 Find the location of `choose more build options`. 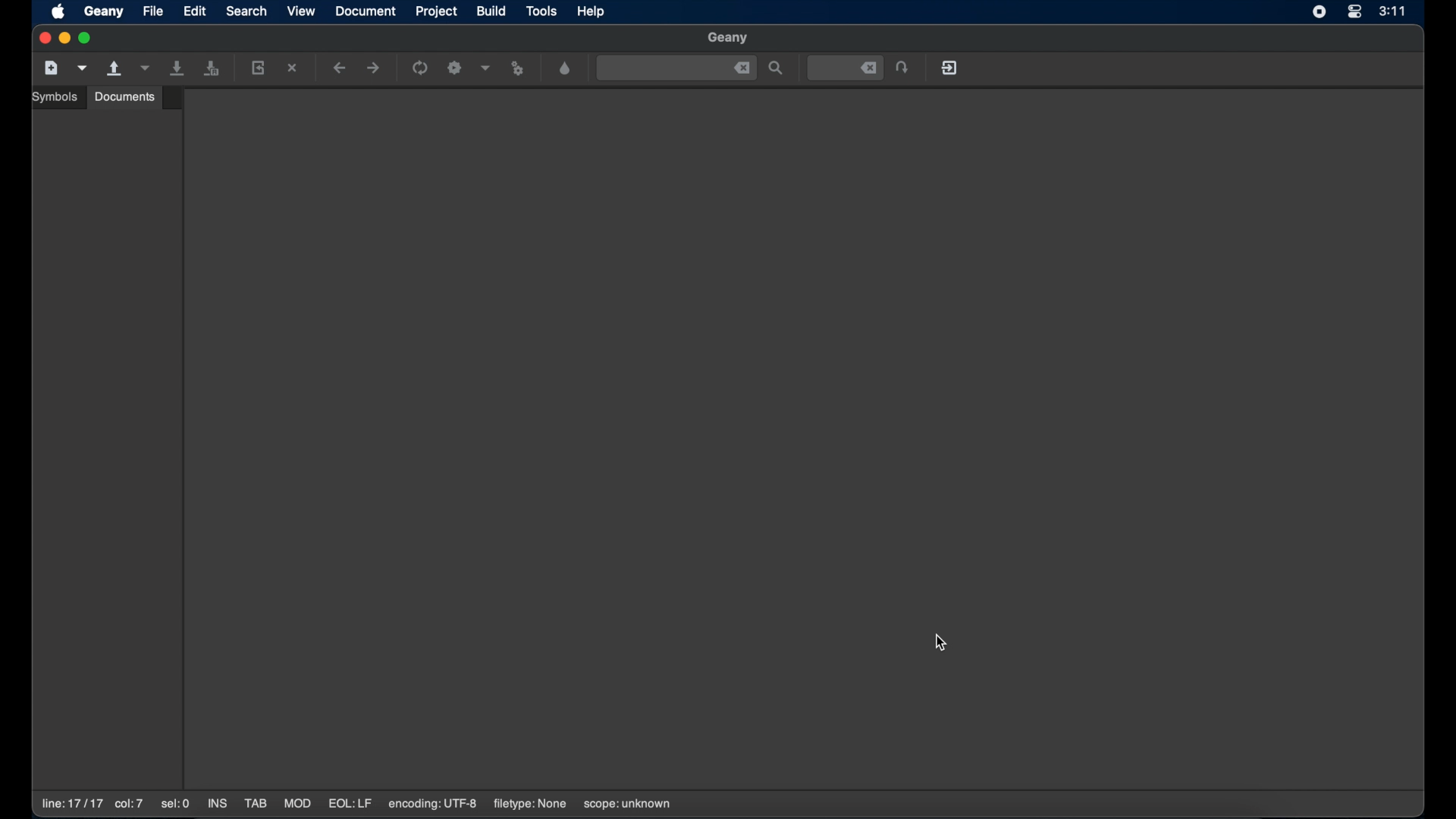

choose more build options is located at coordinates (486, 67).